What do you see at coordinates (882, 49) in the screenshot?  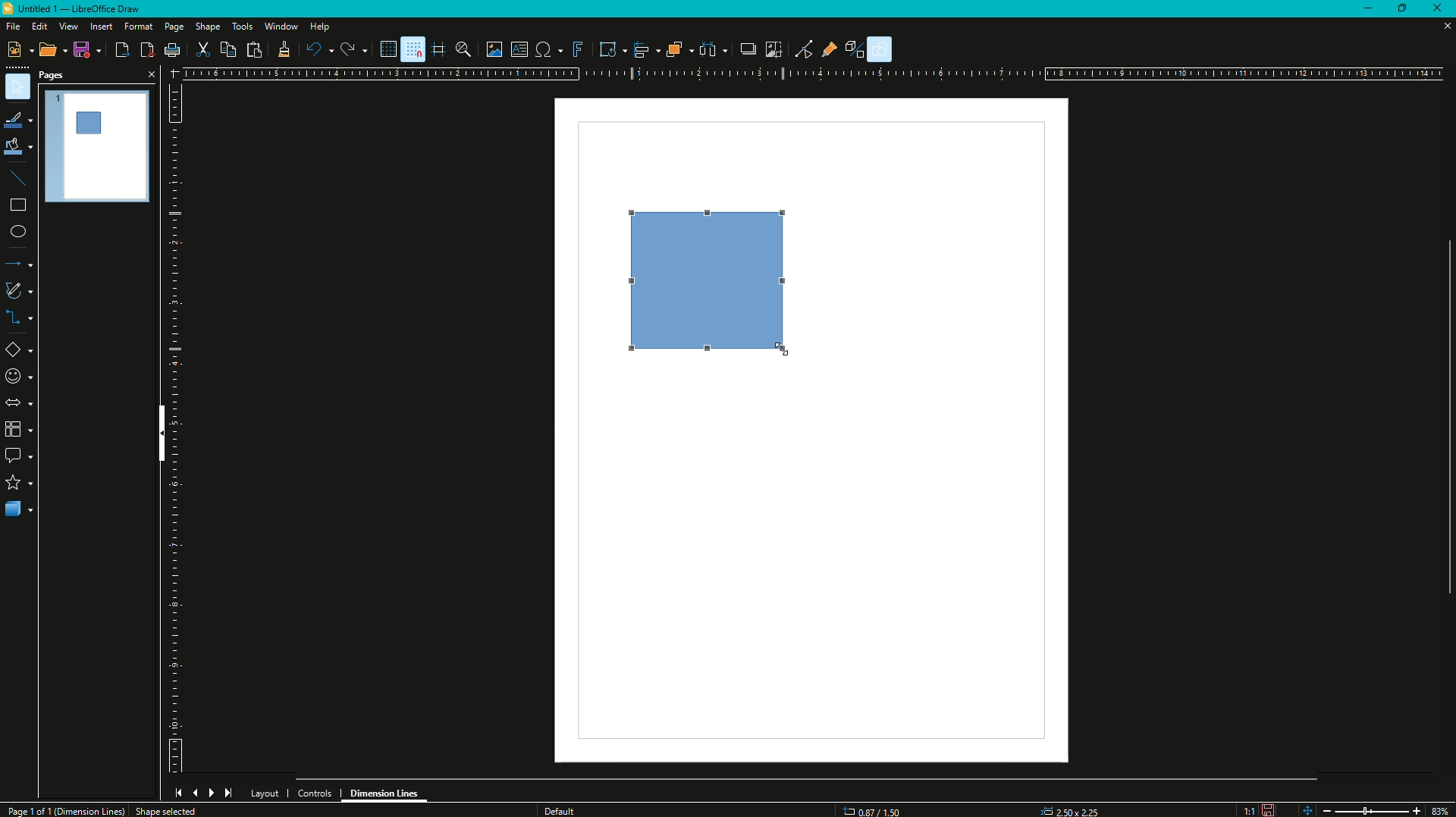 I see `Show Draw Functions` at bounding box center [882, 49].